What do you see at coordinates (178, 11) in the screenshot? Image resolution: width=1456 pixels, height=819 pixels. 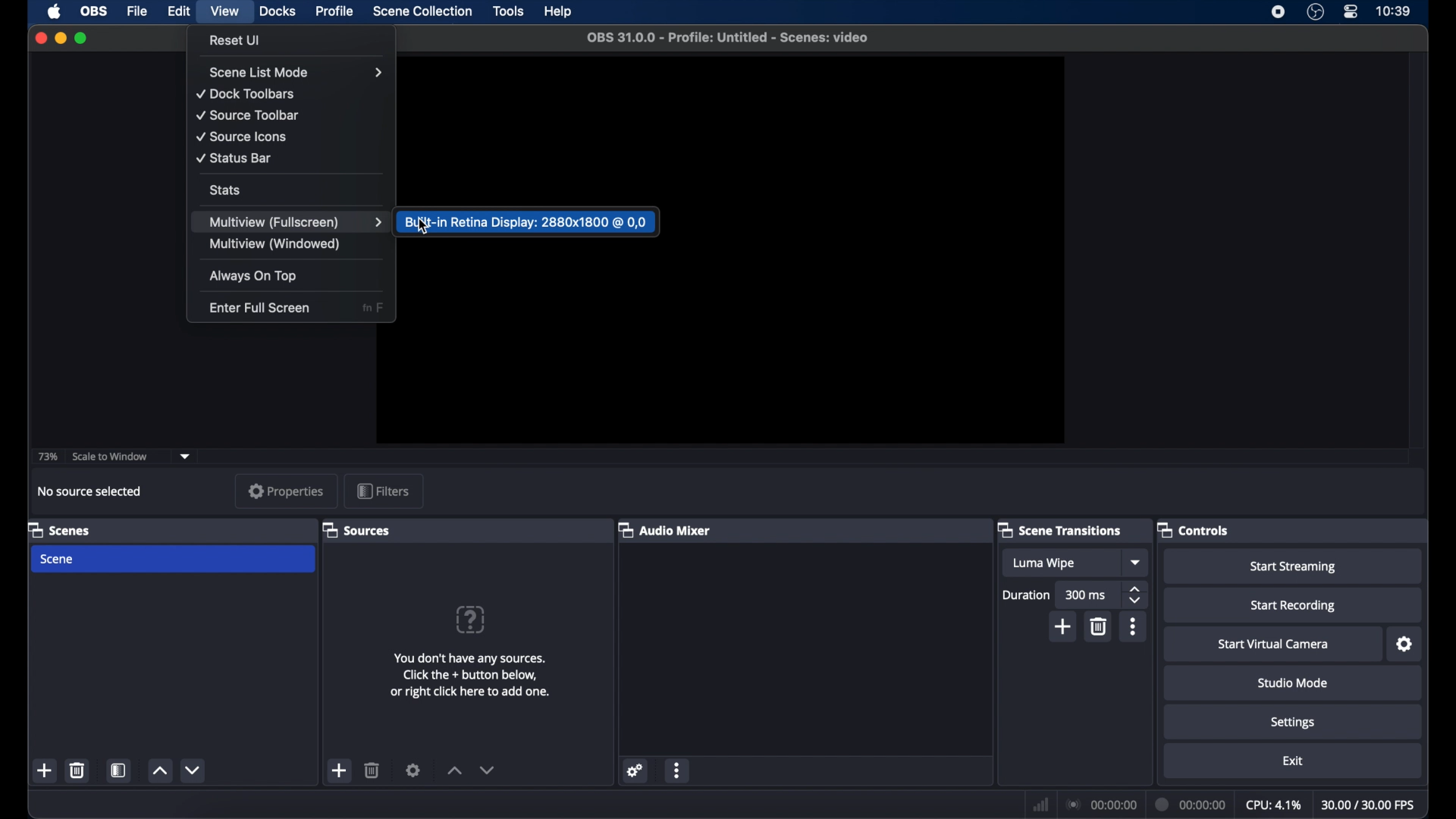 I see `edit` at bounding box center [178, 11].